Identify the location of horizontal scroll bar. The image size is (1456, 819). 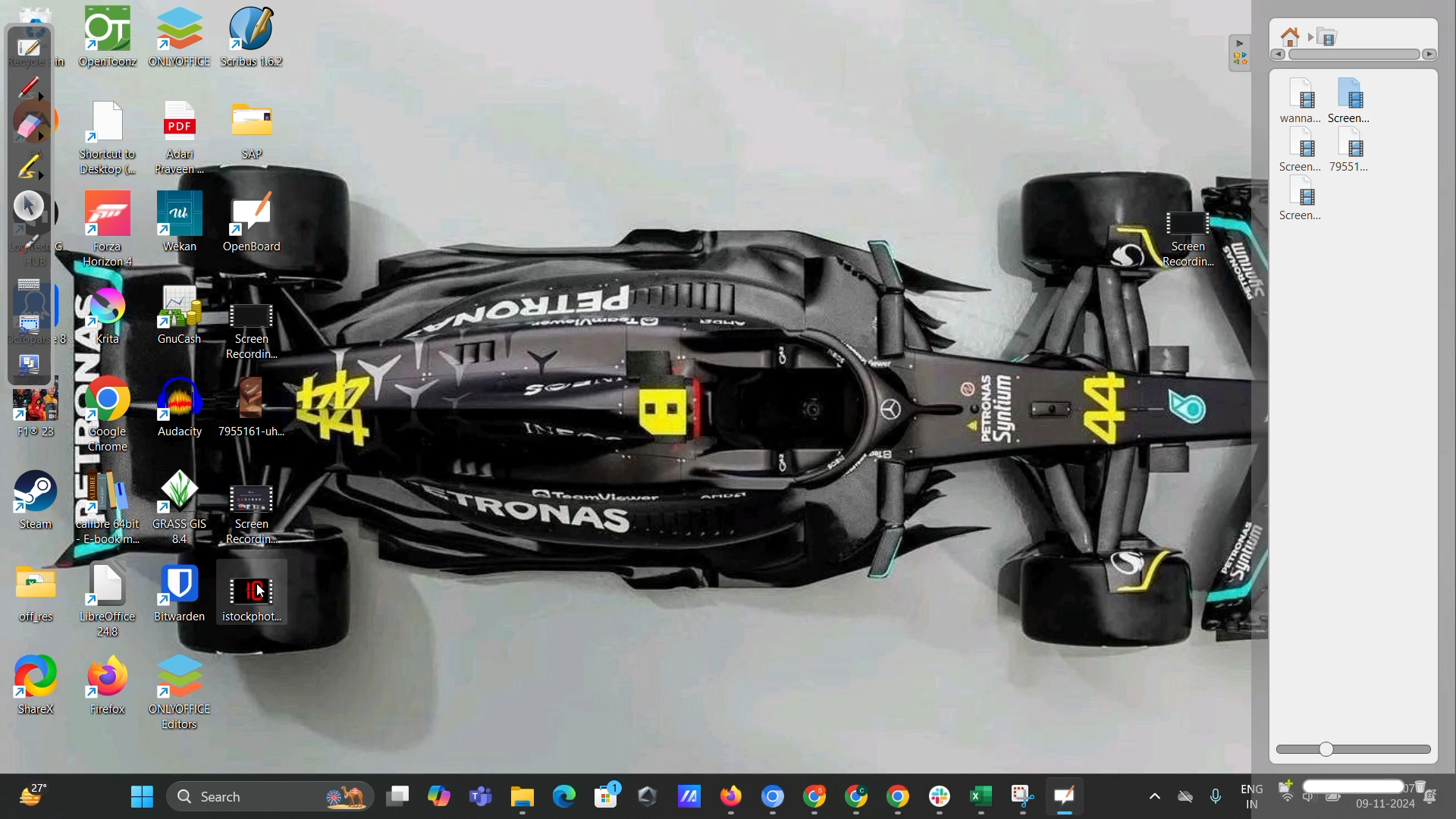
(1354, 57).